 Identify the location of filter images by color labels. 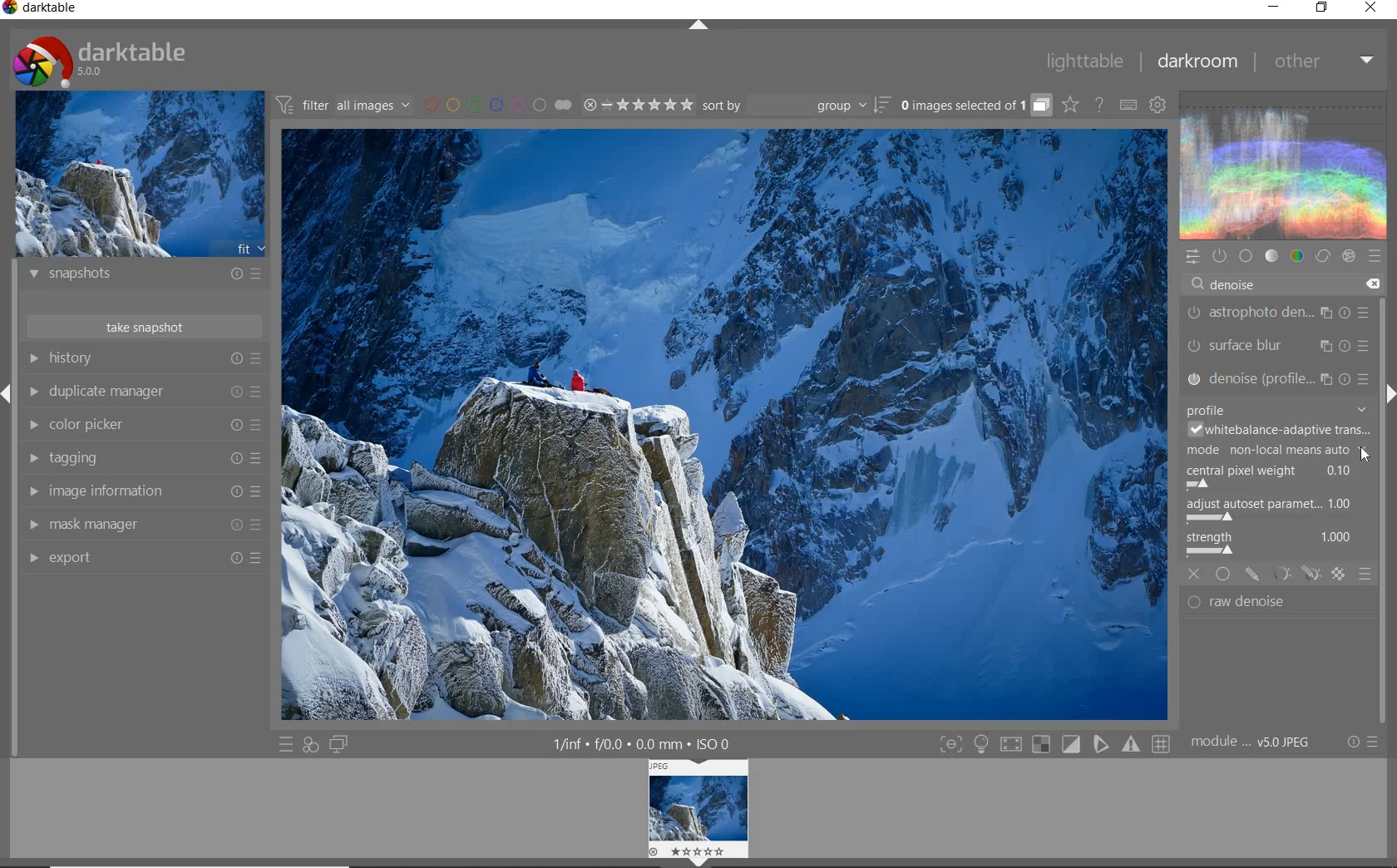
(498, 104).